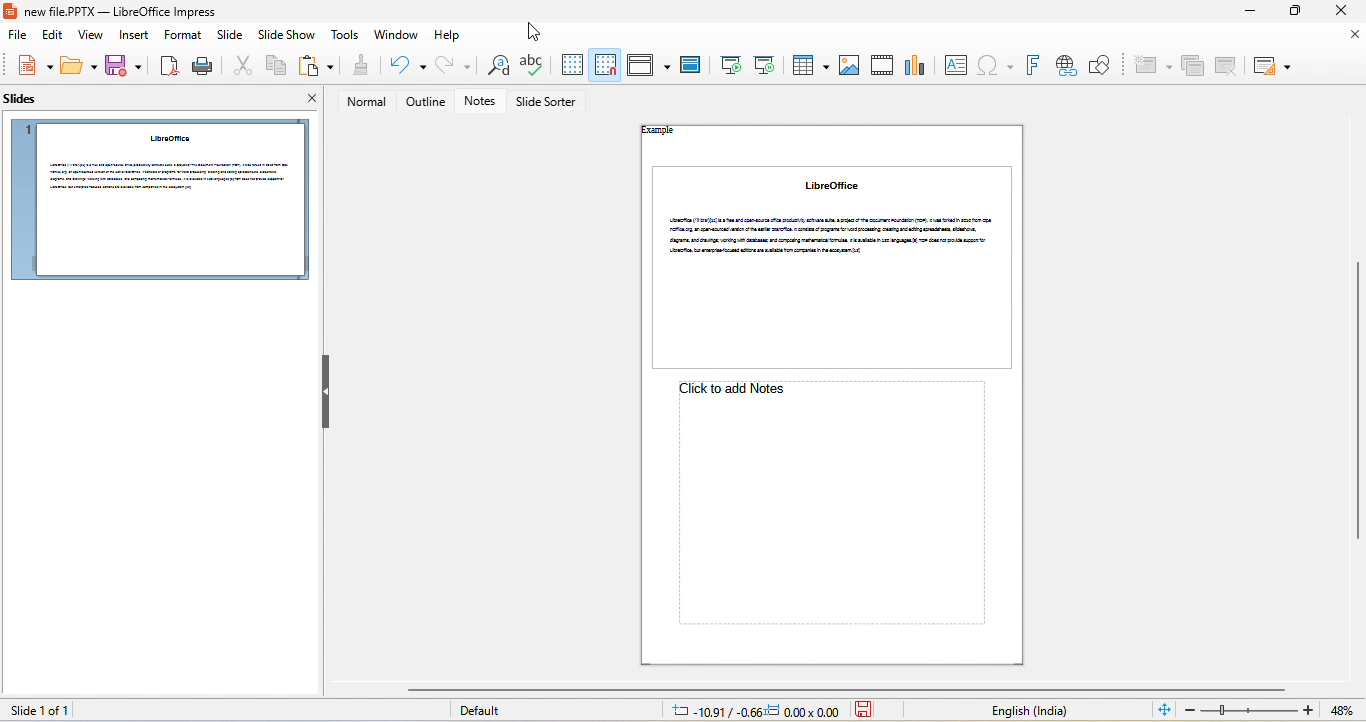 Image resolution: width=1366 pixels, height=722 pixels. Describe the element at coordinates (648, 65) in the screenshot. I see `display view` at that location.